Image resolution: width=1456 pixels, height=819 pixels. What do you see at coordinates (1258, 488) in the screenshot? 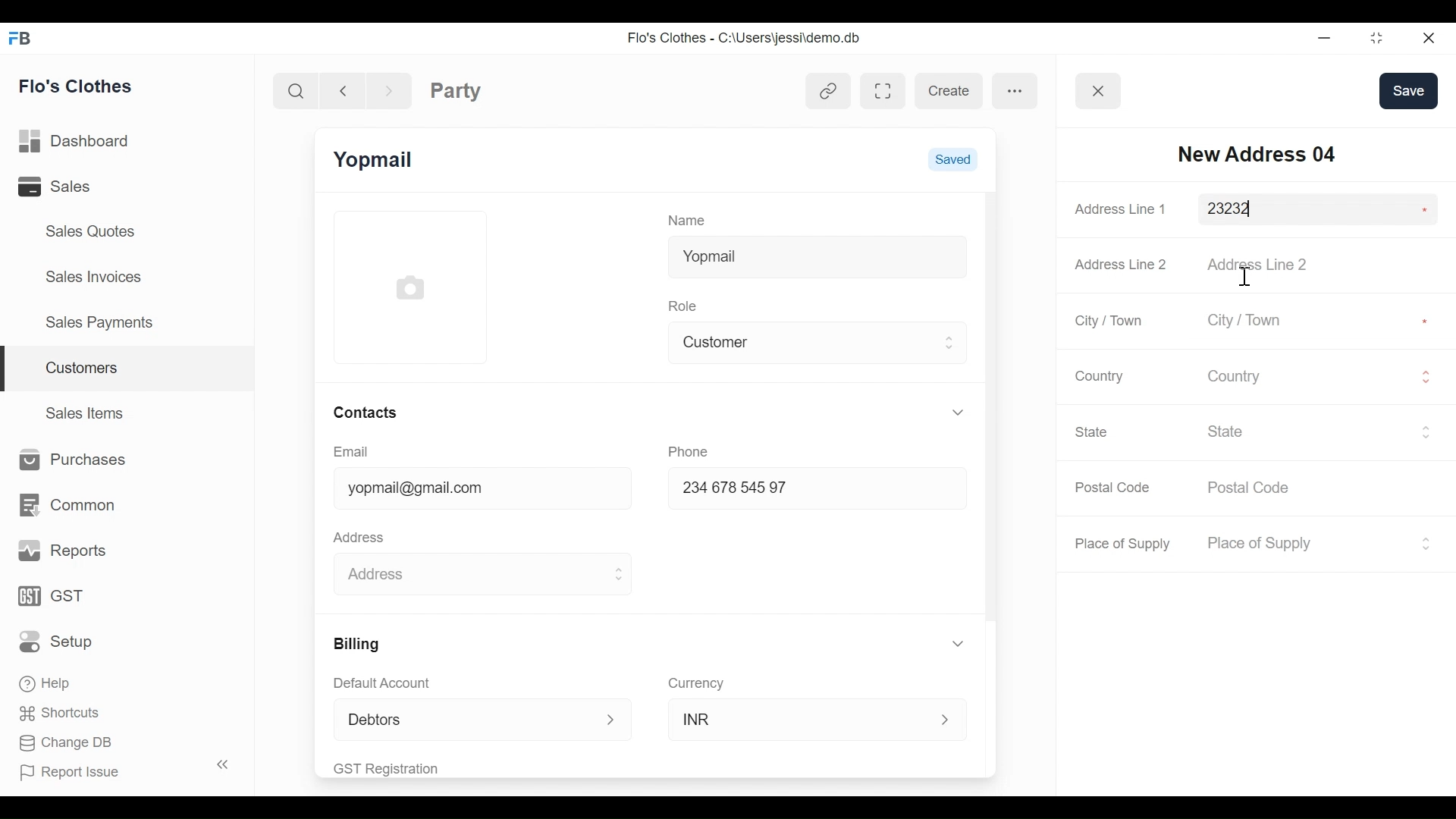
I see `Postal Code` at bounding box center [1258, 488].